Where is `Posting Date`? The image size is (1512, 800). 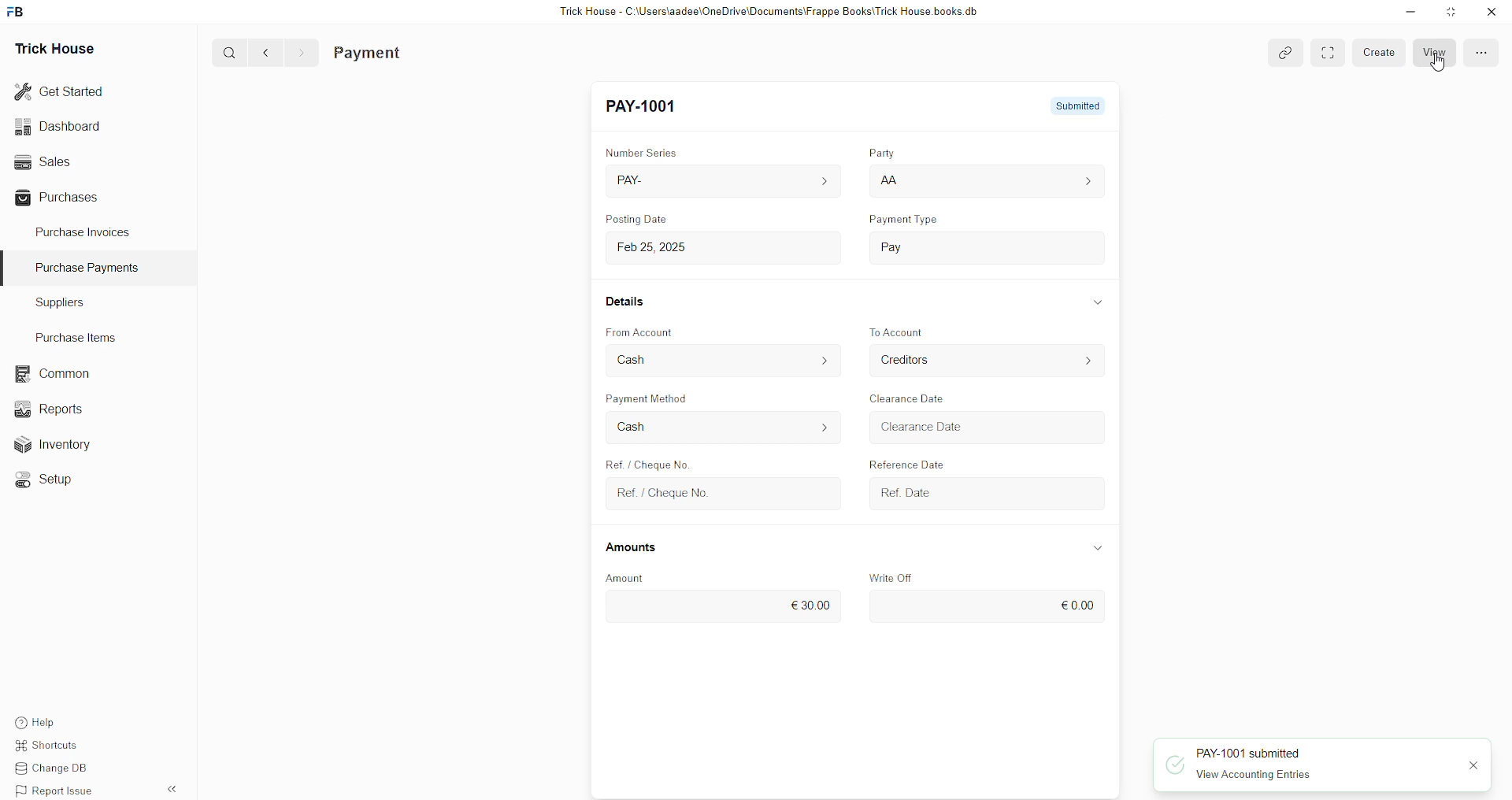 Posting Date is located at coordinates (642, 222).